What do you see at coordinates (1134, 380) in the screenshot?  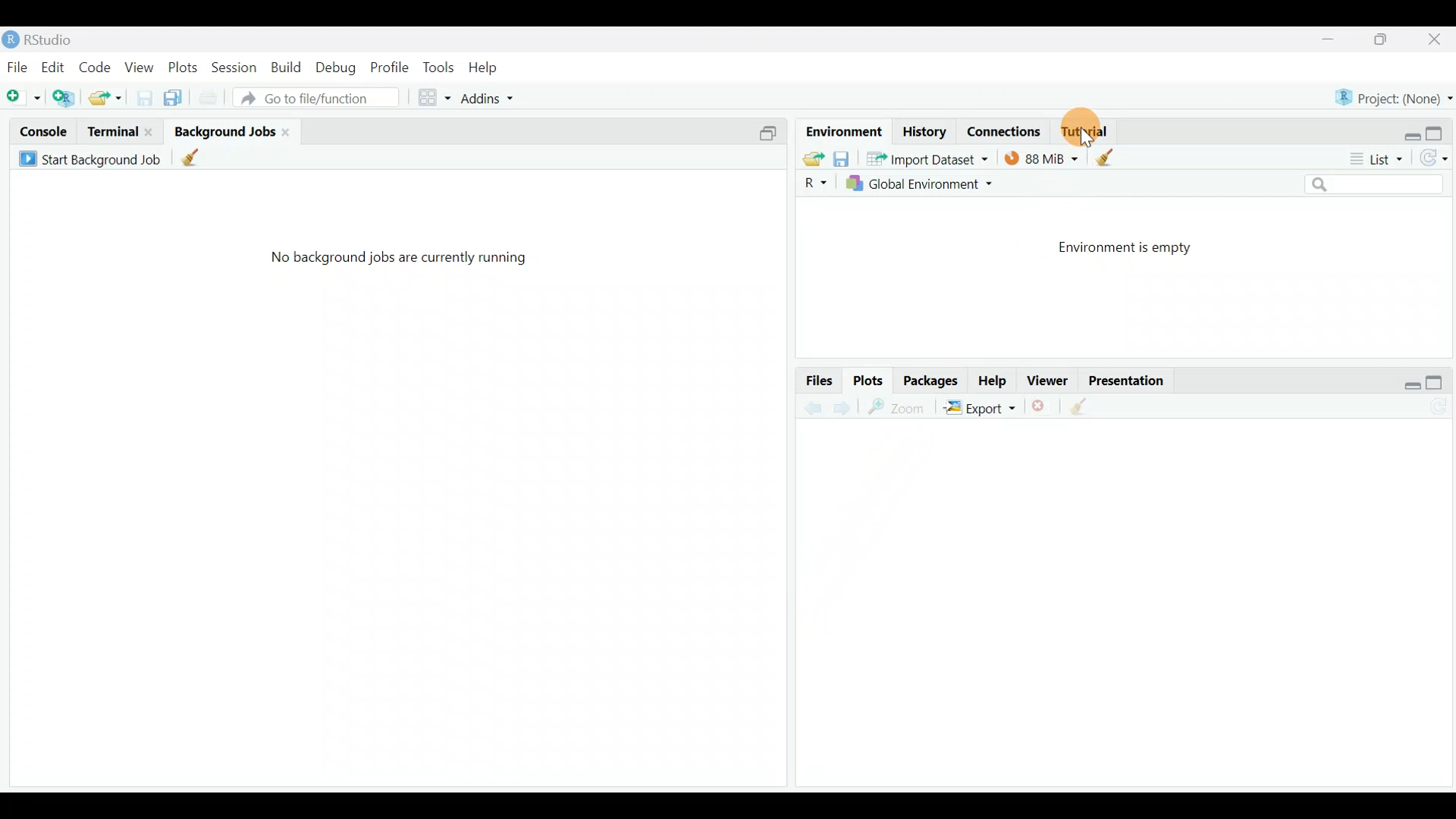 I see `Presentation` at bounding box center [1134, 380].